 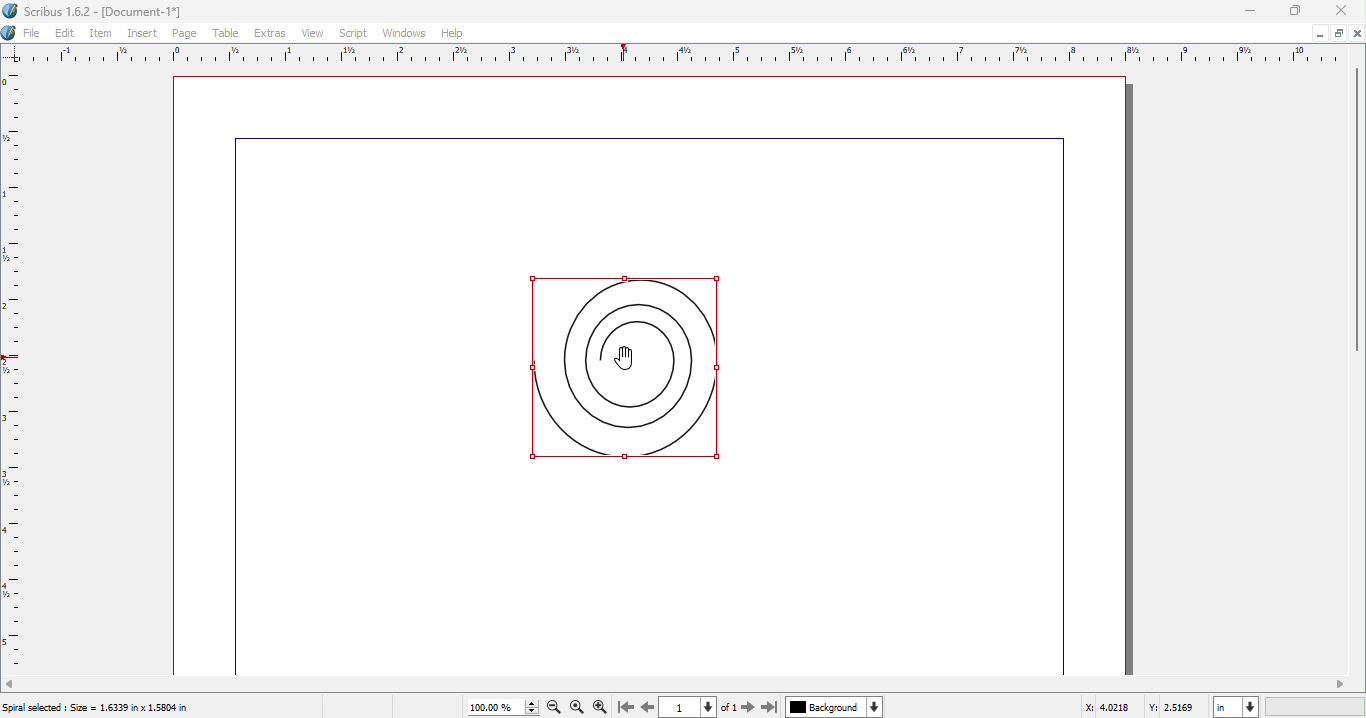 I want to click on Edit, so click(x=65, y=33).